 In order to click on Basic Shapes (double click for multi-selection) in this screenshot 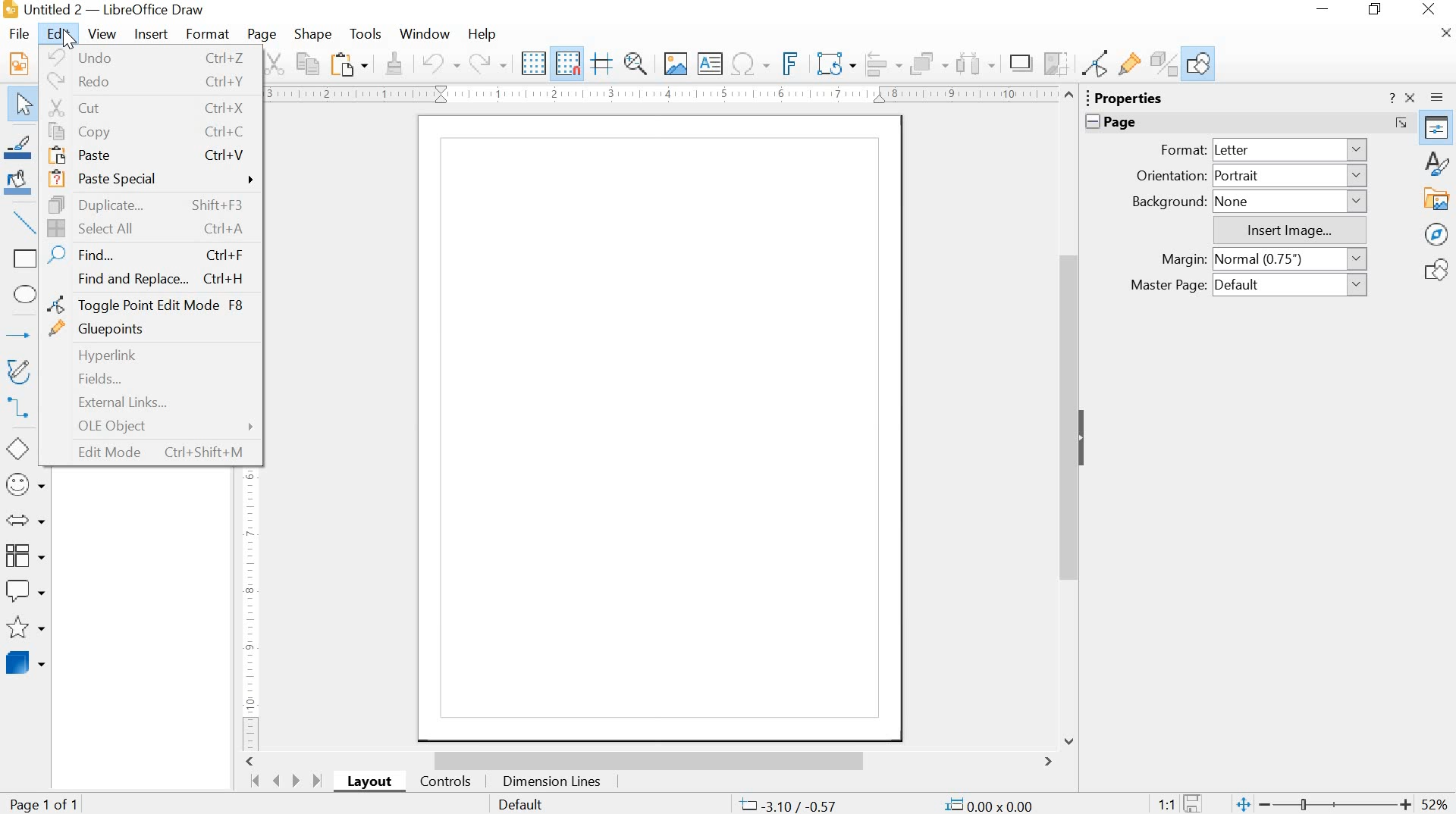, I will do `click(27, 448)`.